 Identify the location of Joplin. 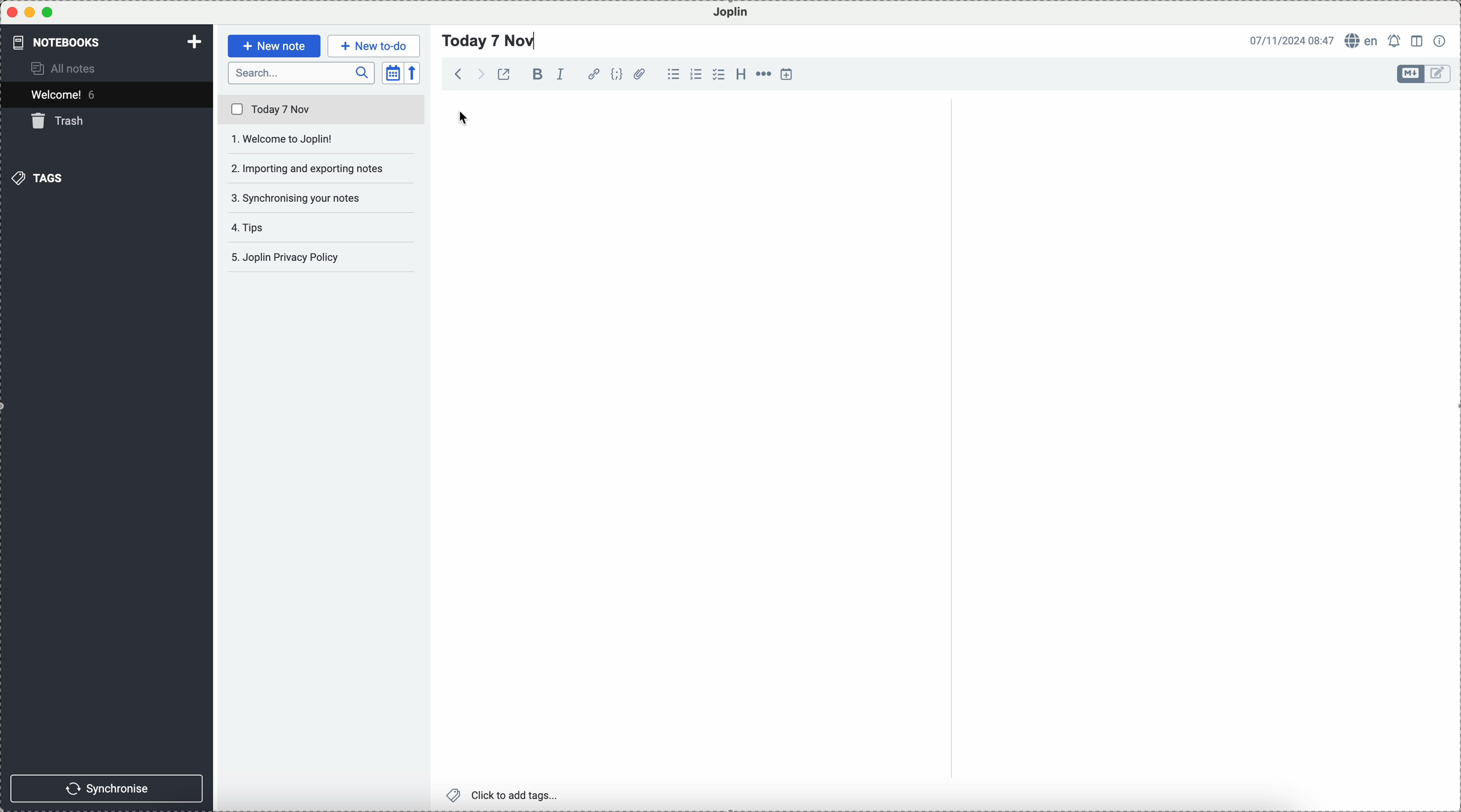
(731, 13).